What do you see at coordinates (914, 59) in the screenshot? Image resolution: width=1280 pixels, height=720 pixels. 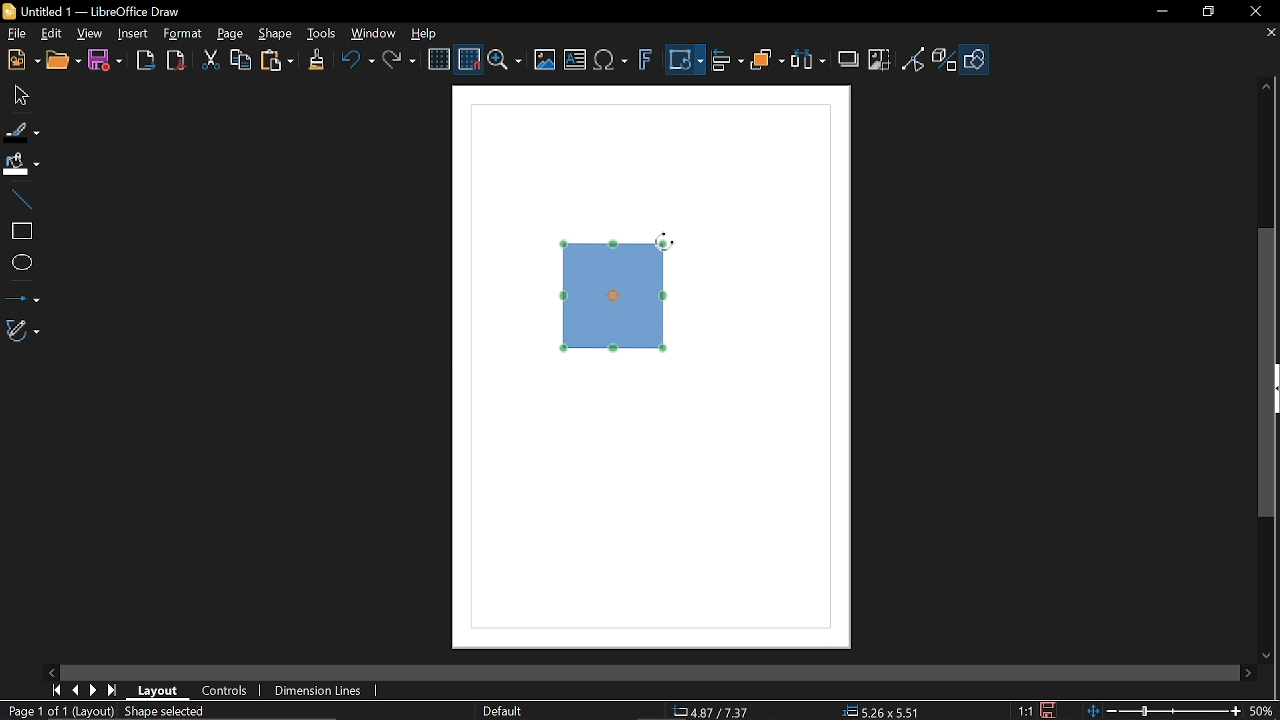 I see `Toggle ` at bounding box center [914, 59].